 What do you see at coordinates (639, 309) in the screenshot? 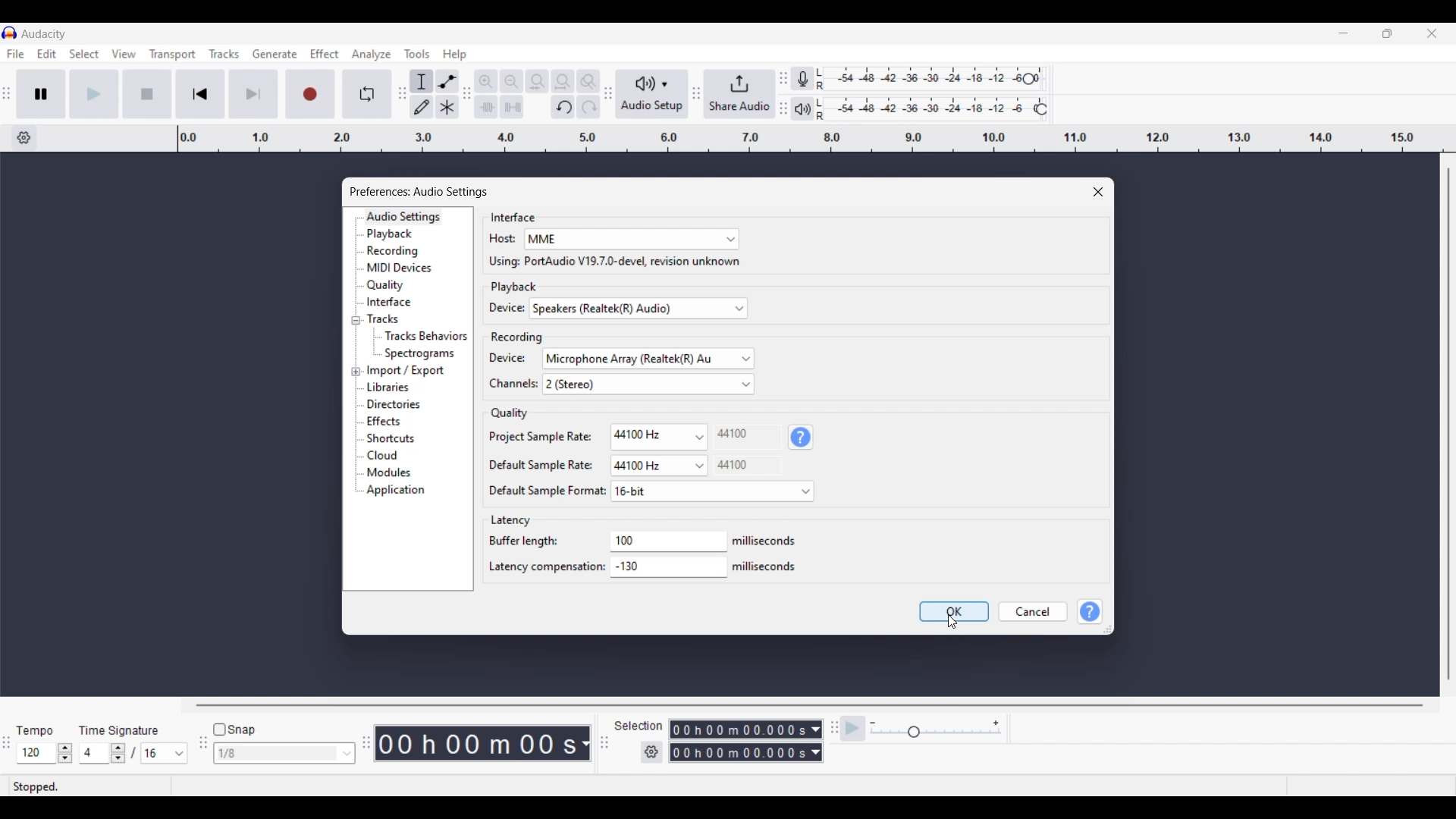
I see `Device options` at bounding box center [639, 309].